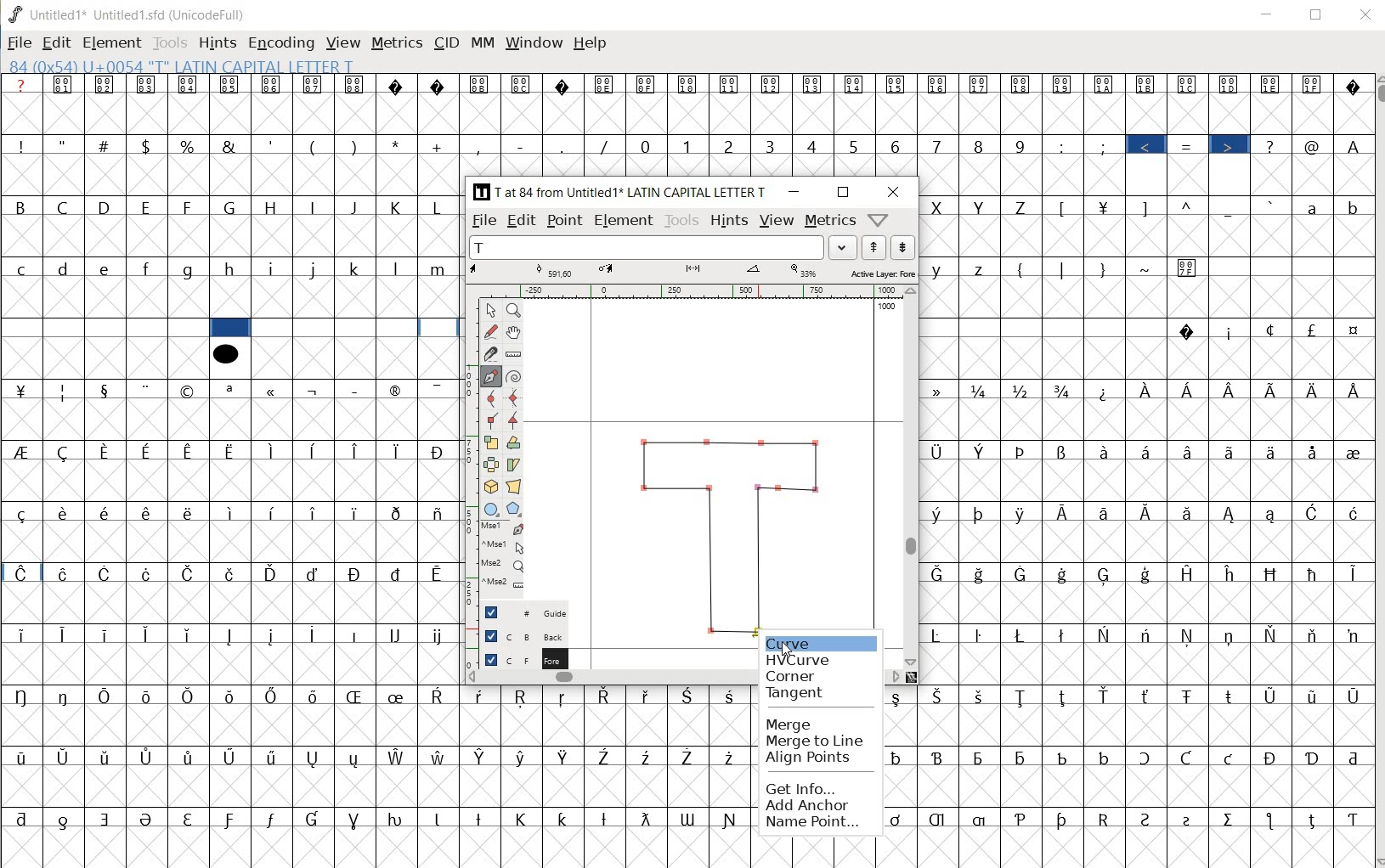 The image size is (1385, 868). Describe the element at coordinates (732, 819) in the screenshot. I see `Symbol` at that location.